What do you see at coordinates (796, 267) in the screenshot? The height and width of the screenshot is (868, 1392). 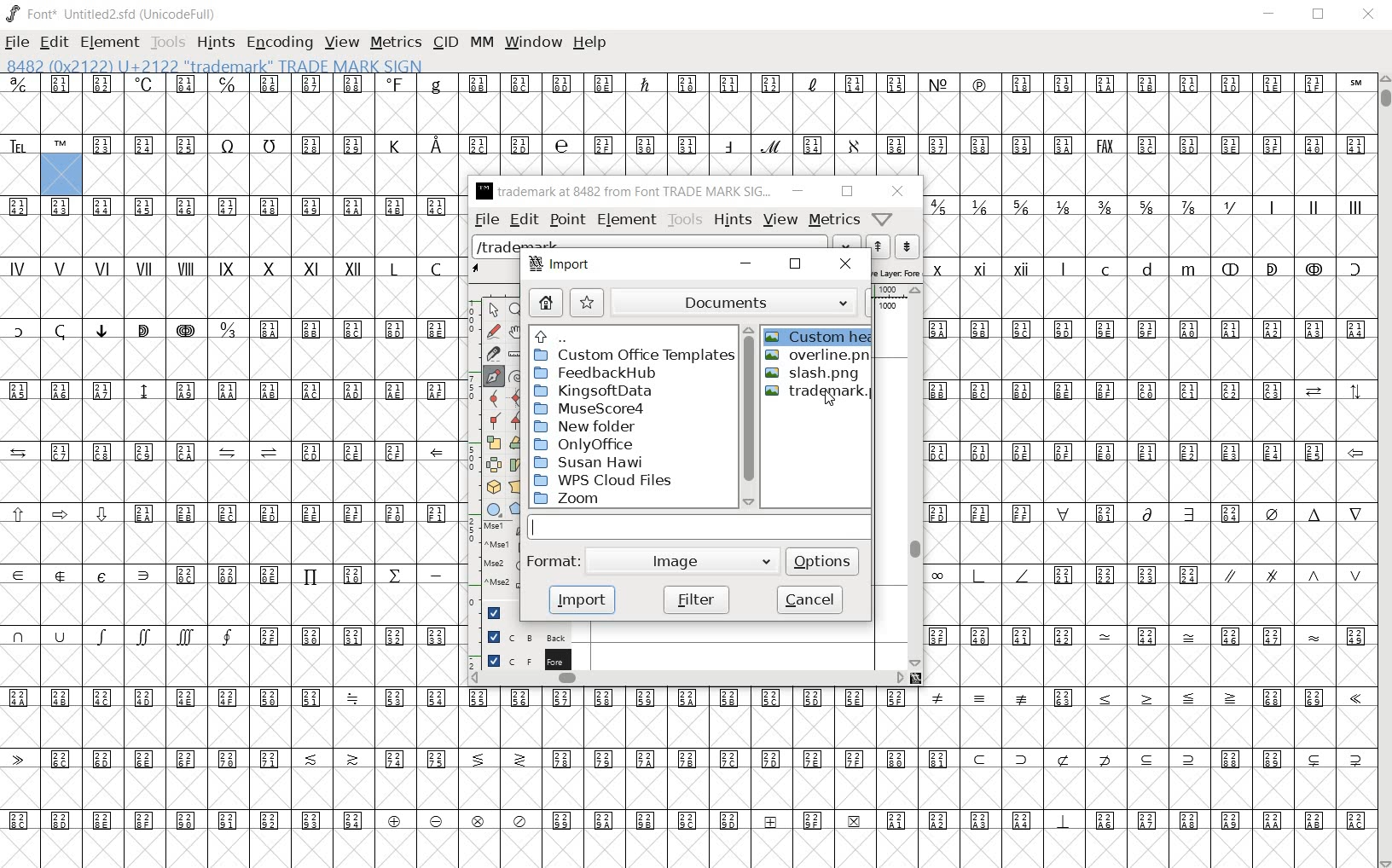 I see `restore` at bounding box center [796, 267].